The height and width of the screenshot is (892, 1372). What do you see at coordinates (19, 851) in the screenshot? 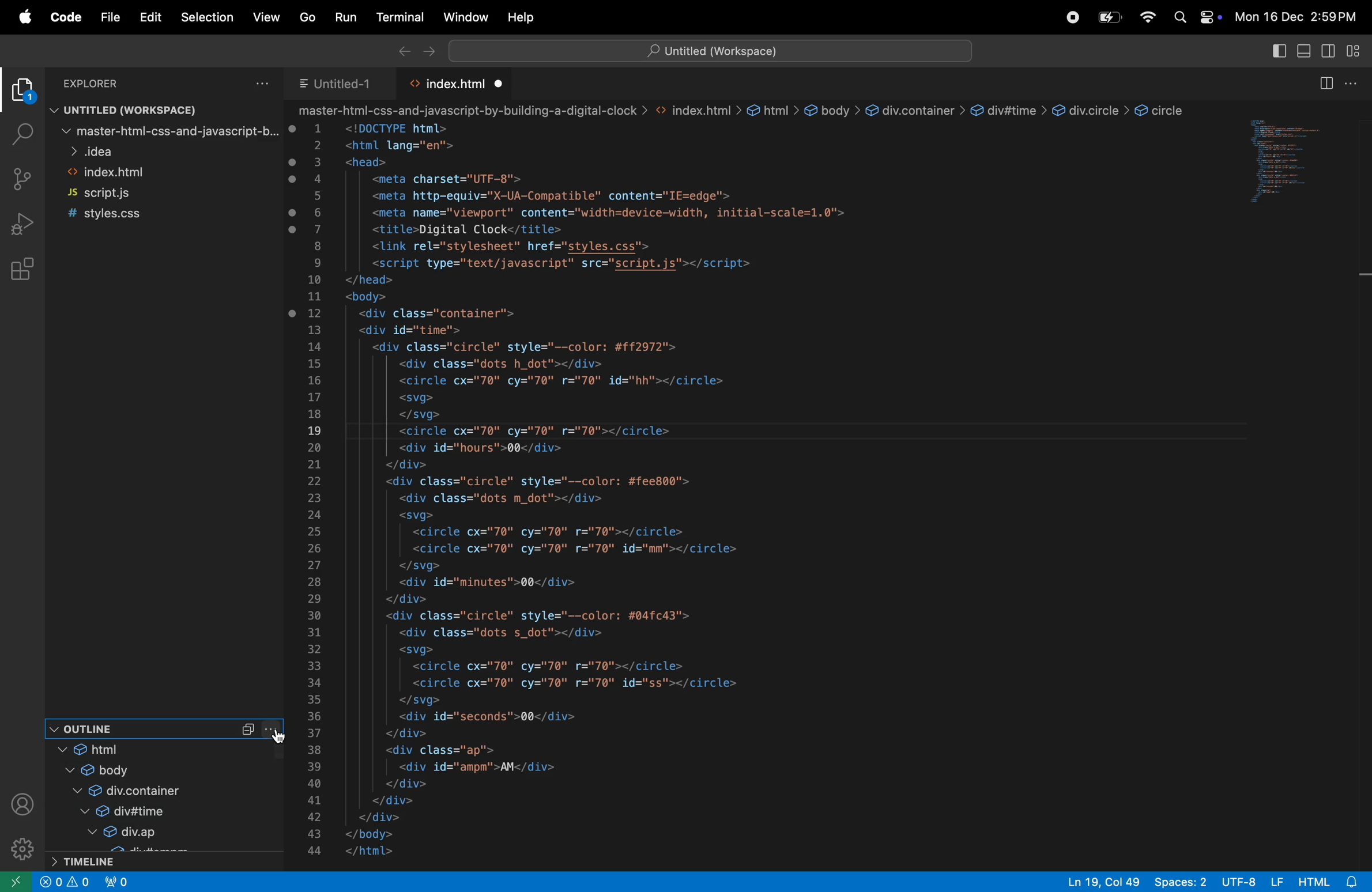
I see `settings` at bounding box center [19, 851].